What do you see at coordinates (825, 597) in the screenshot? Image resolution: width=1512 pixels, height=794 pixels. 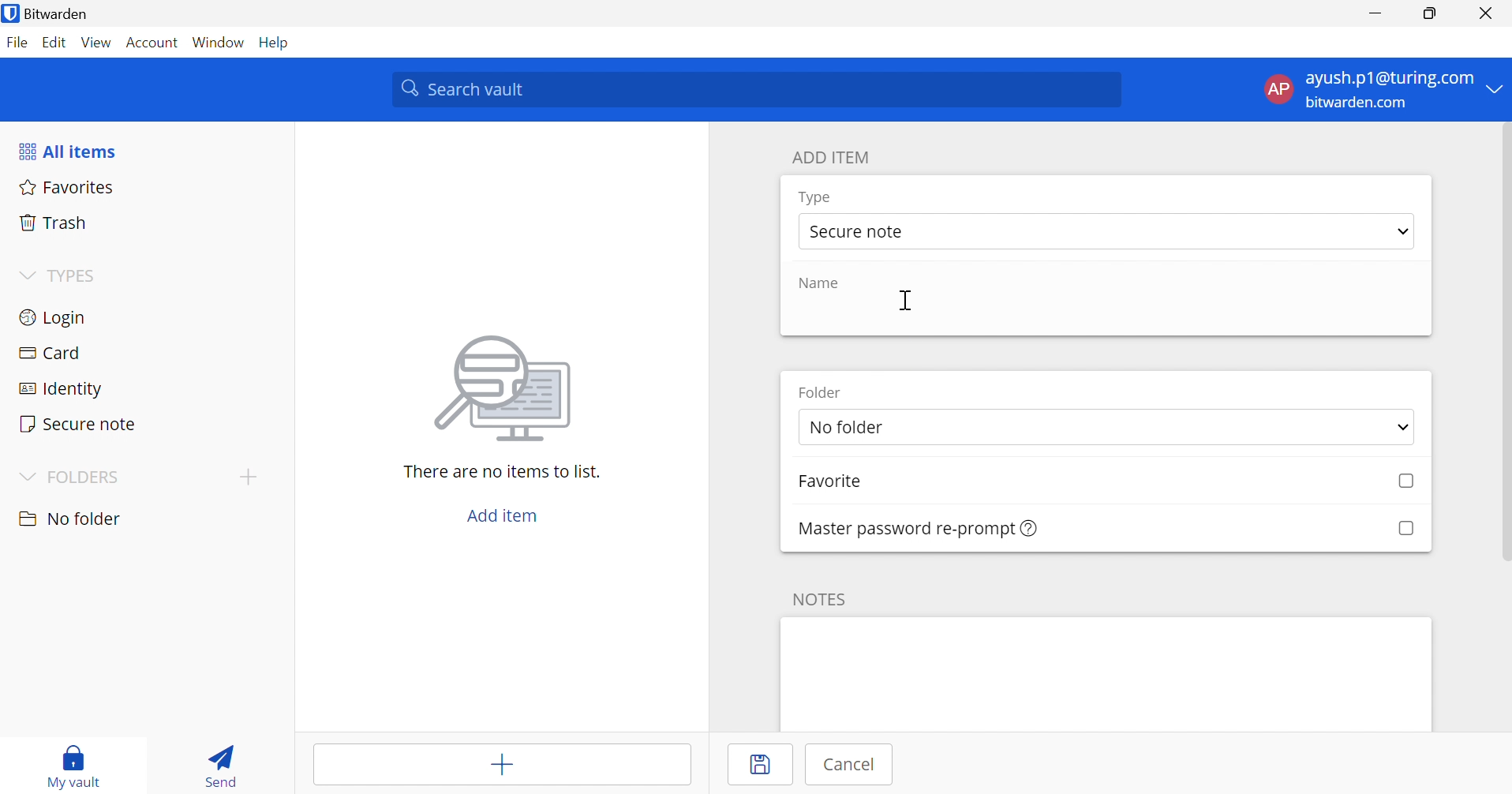 I see `NOTES` at bounding box center [825, 597].